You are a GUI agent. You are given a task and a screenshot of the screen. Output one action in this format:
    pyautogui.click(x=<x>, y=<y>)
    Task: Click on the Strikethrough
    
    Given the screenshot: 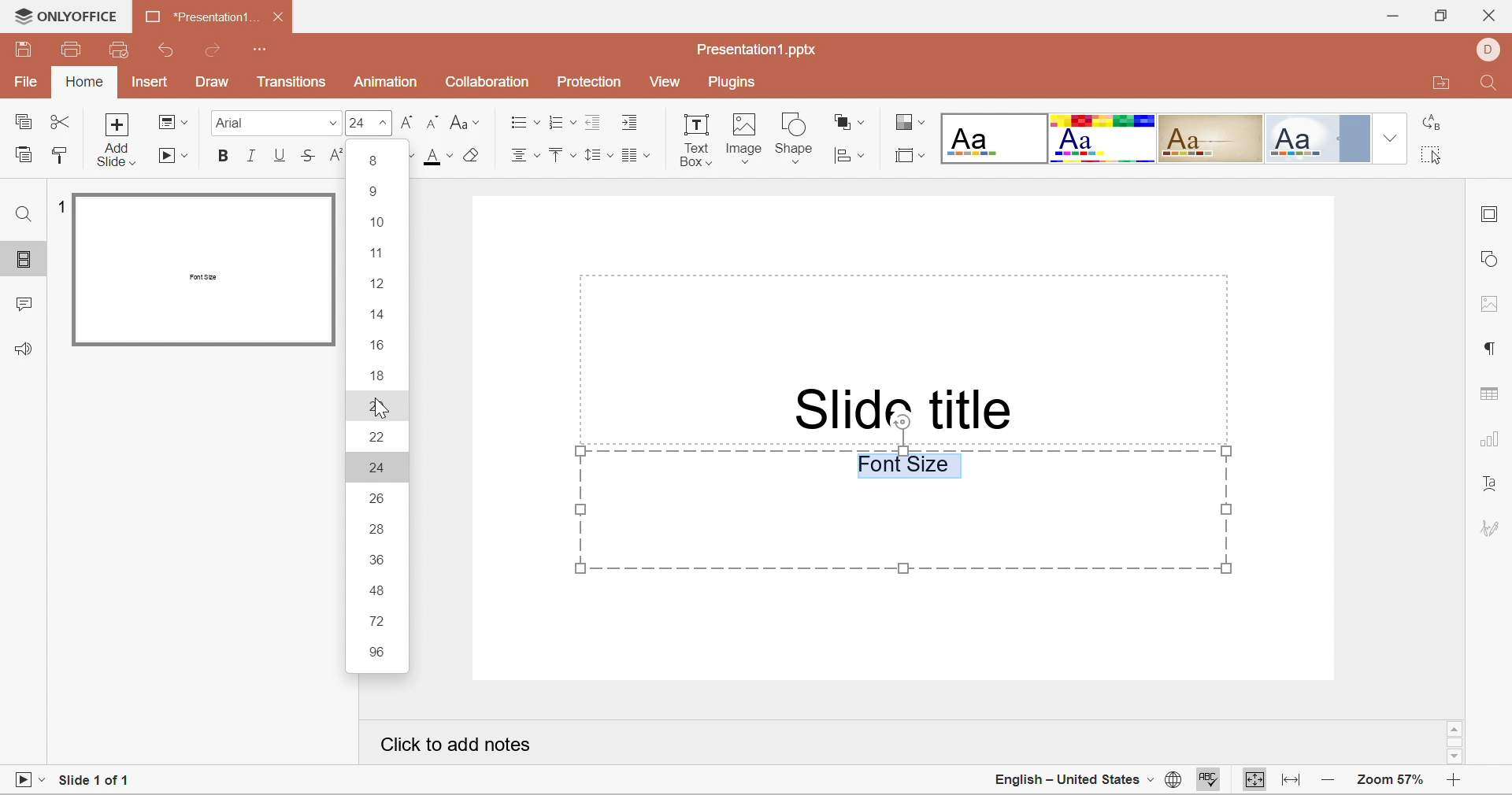 What is the action you would take?
    pyautogui.click(x=309, y=152)
    